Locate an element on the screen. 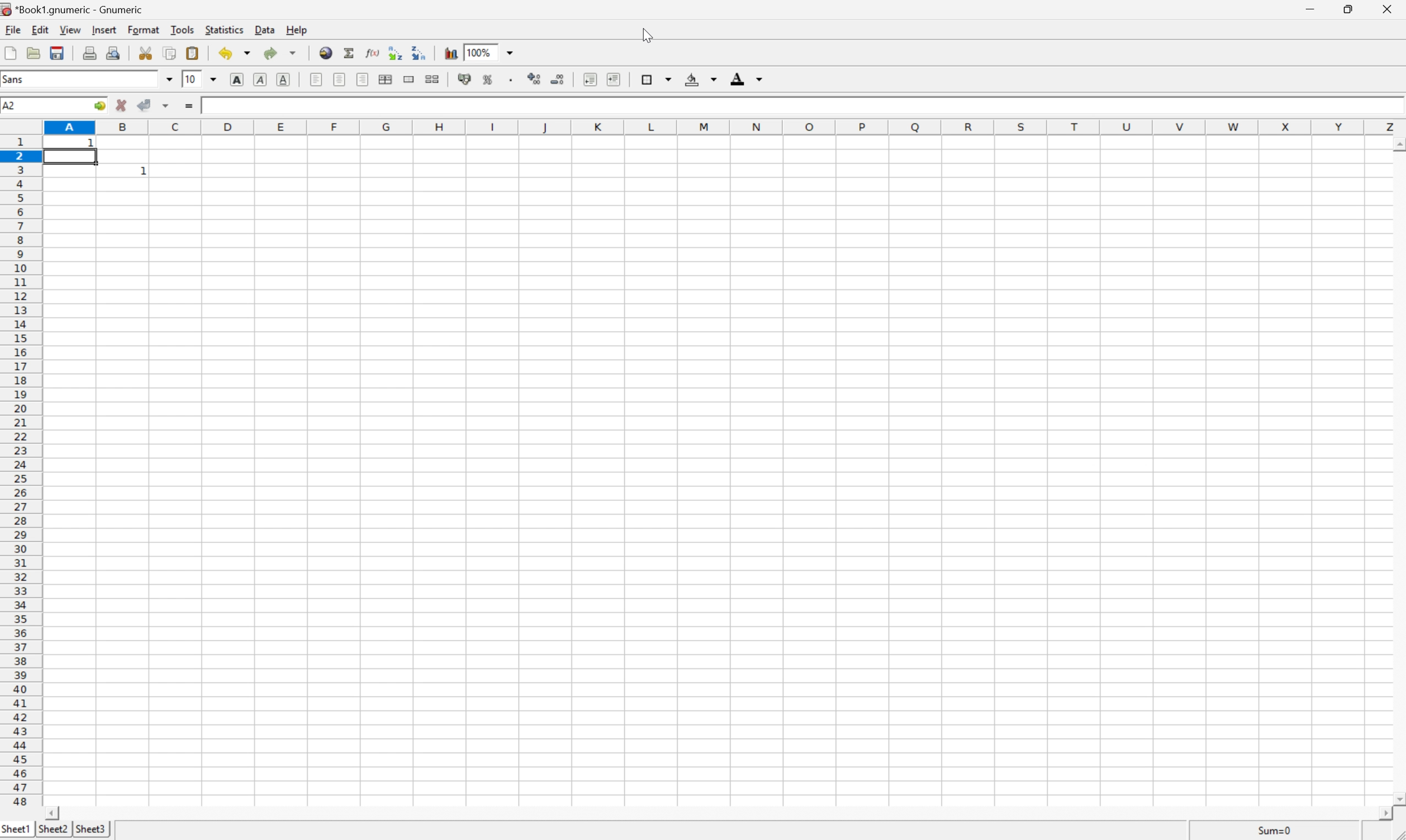 The width and height of the screenshot is (1406, 840). paste is located at coordinates (194, 53).